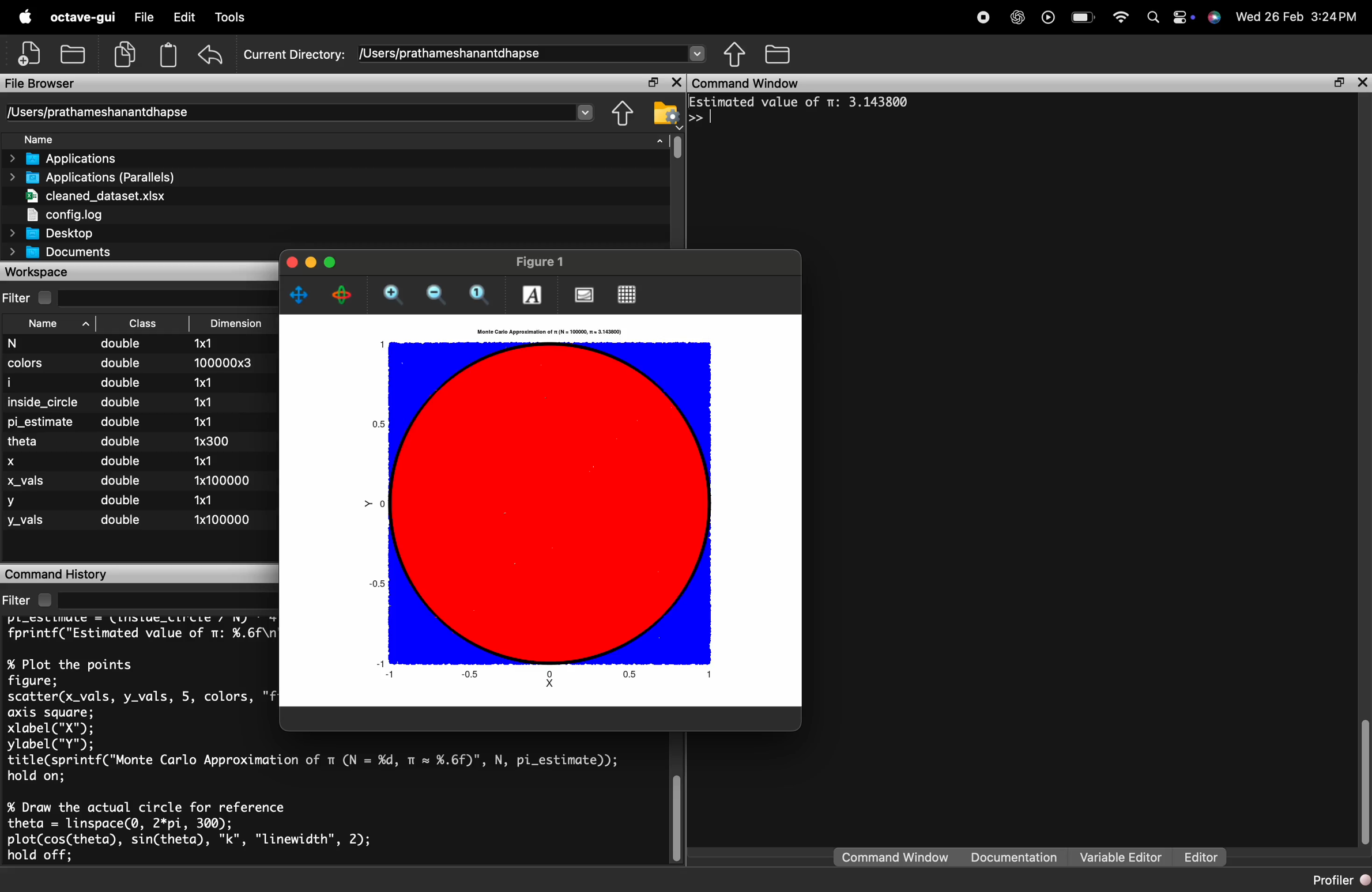 The width and height of the screenshot is (1372, 892). I want to click on Tap text, so click(714, 116).